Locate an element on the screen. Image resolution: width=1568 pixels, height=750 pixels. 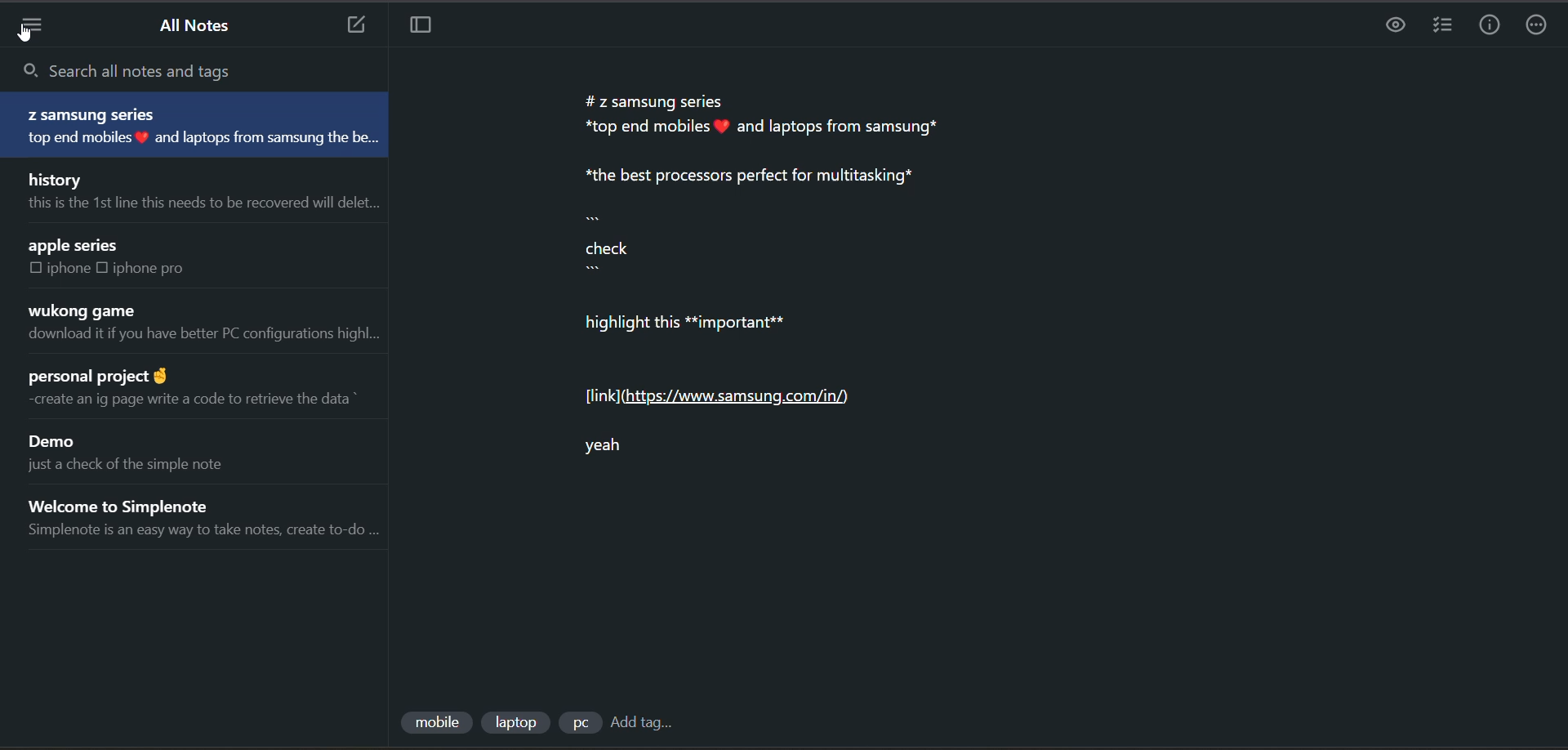
tag 1 is located at coordinates (436, 720).